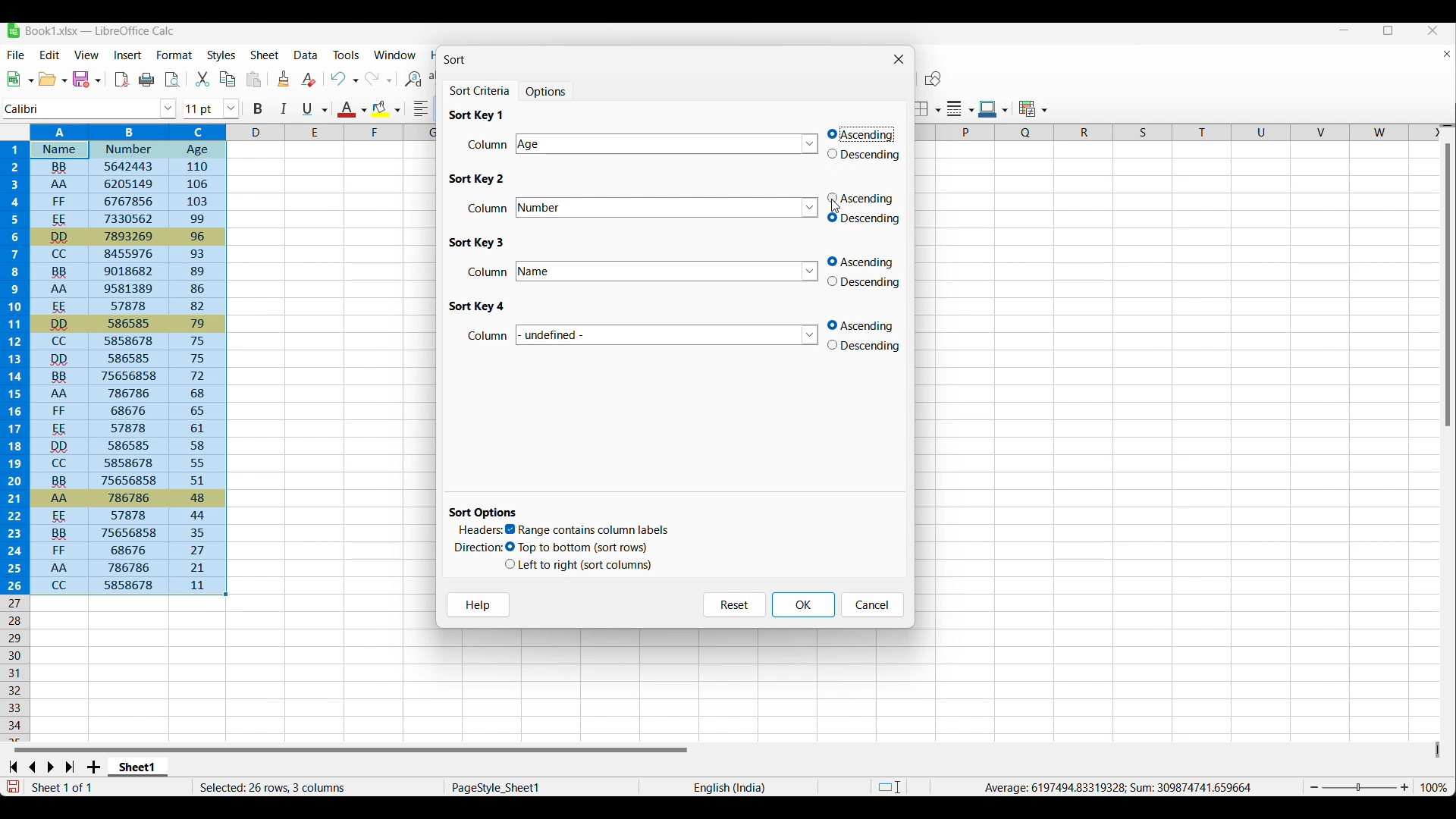  What do you see at coordinates (50, 55) in the screenshot?
I see `Edit menu` at bounding box center [50, 55].